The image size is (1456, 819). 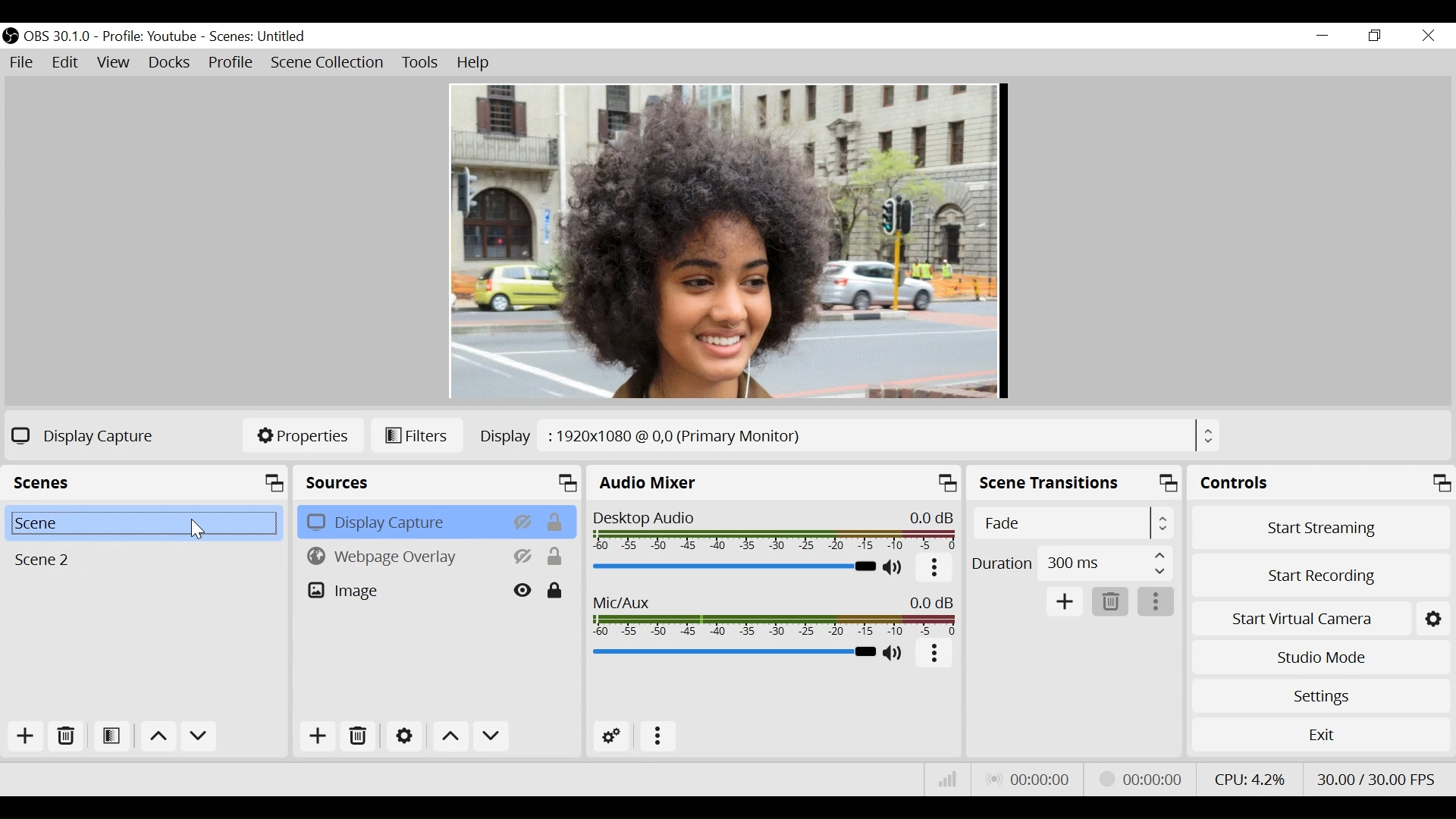 What do you see at coordinates (735, 568) in the screenshot?
I see `Desktop Audio Slider` at bounding box center [735, 568].